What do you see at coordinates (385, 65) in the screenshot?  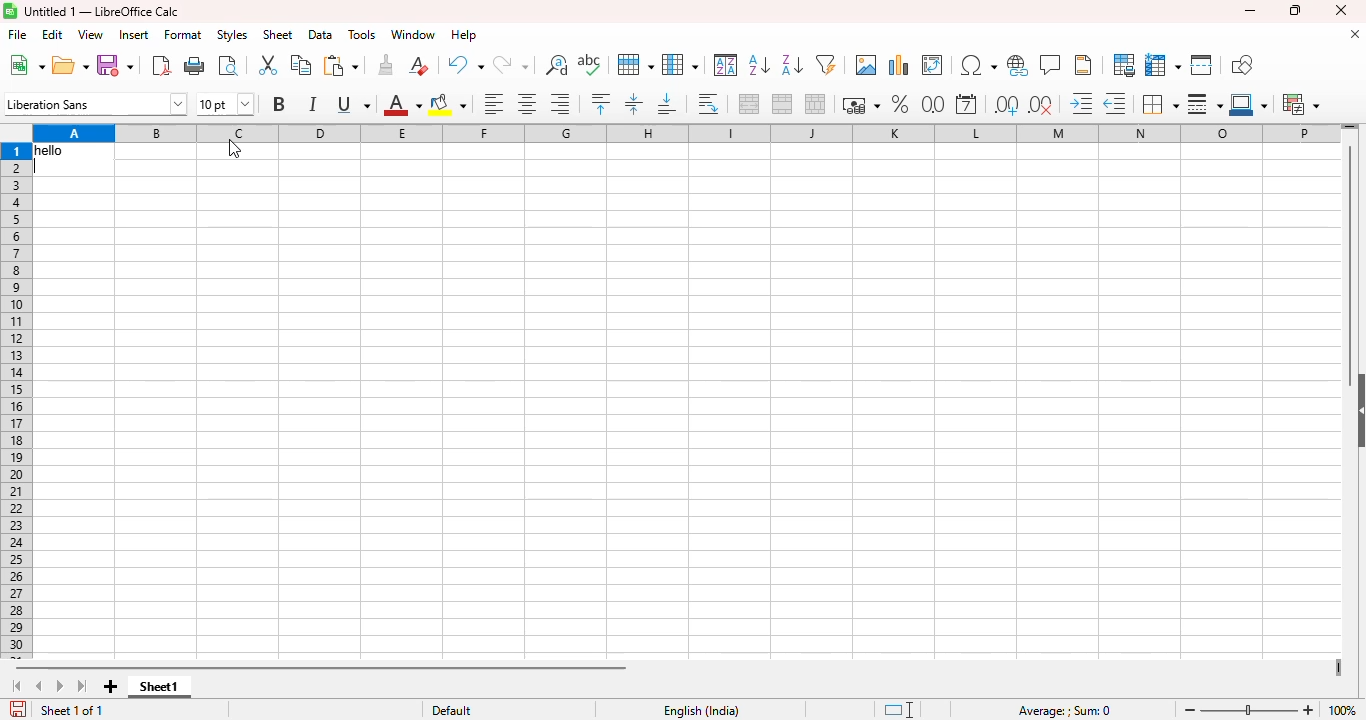 I see `clone formatting` at bounding box center [385, 65].